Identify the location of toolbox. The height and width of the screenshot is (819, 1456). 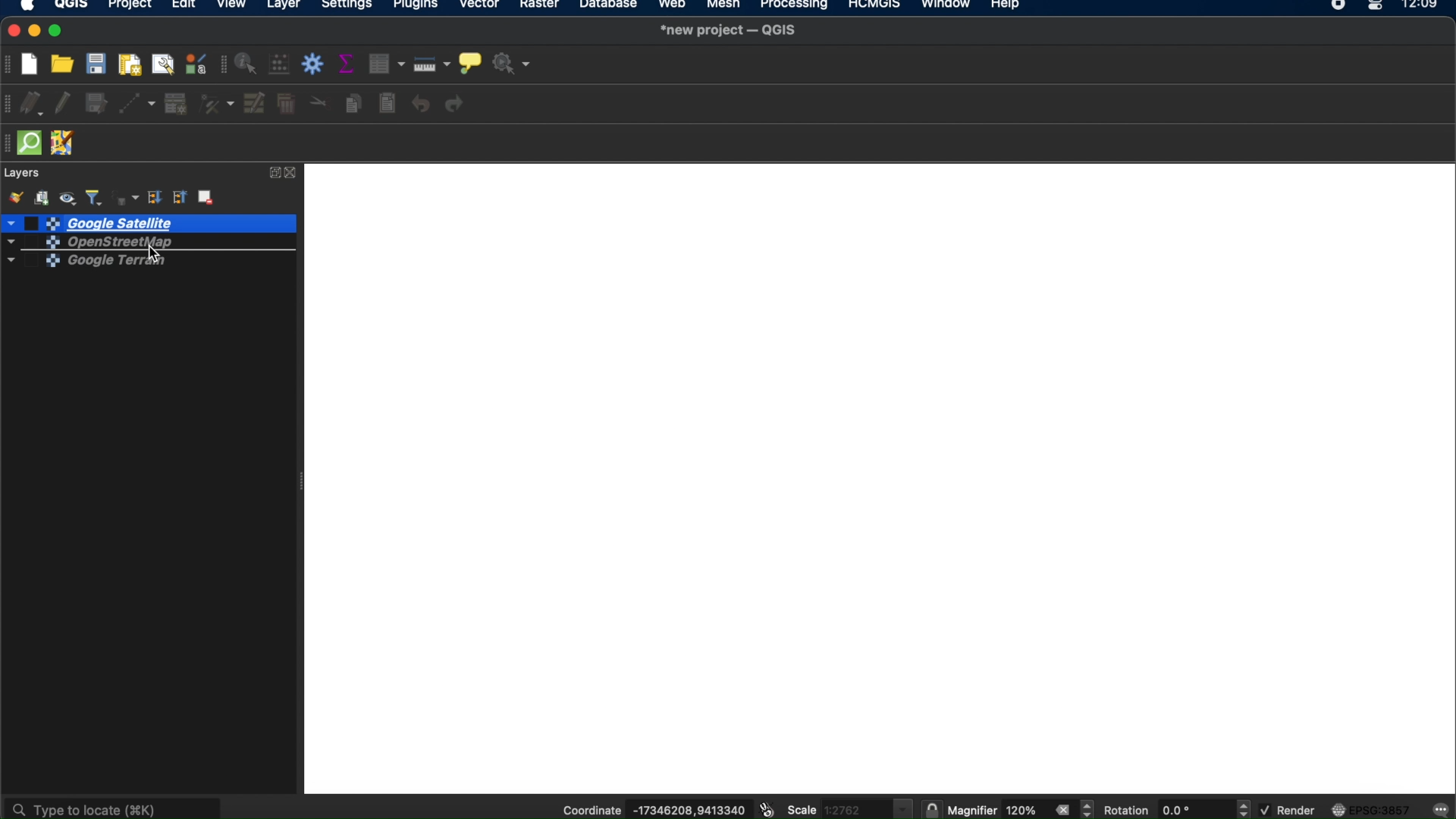
(315, 64).